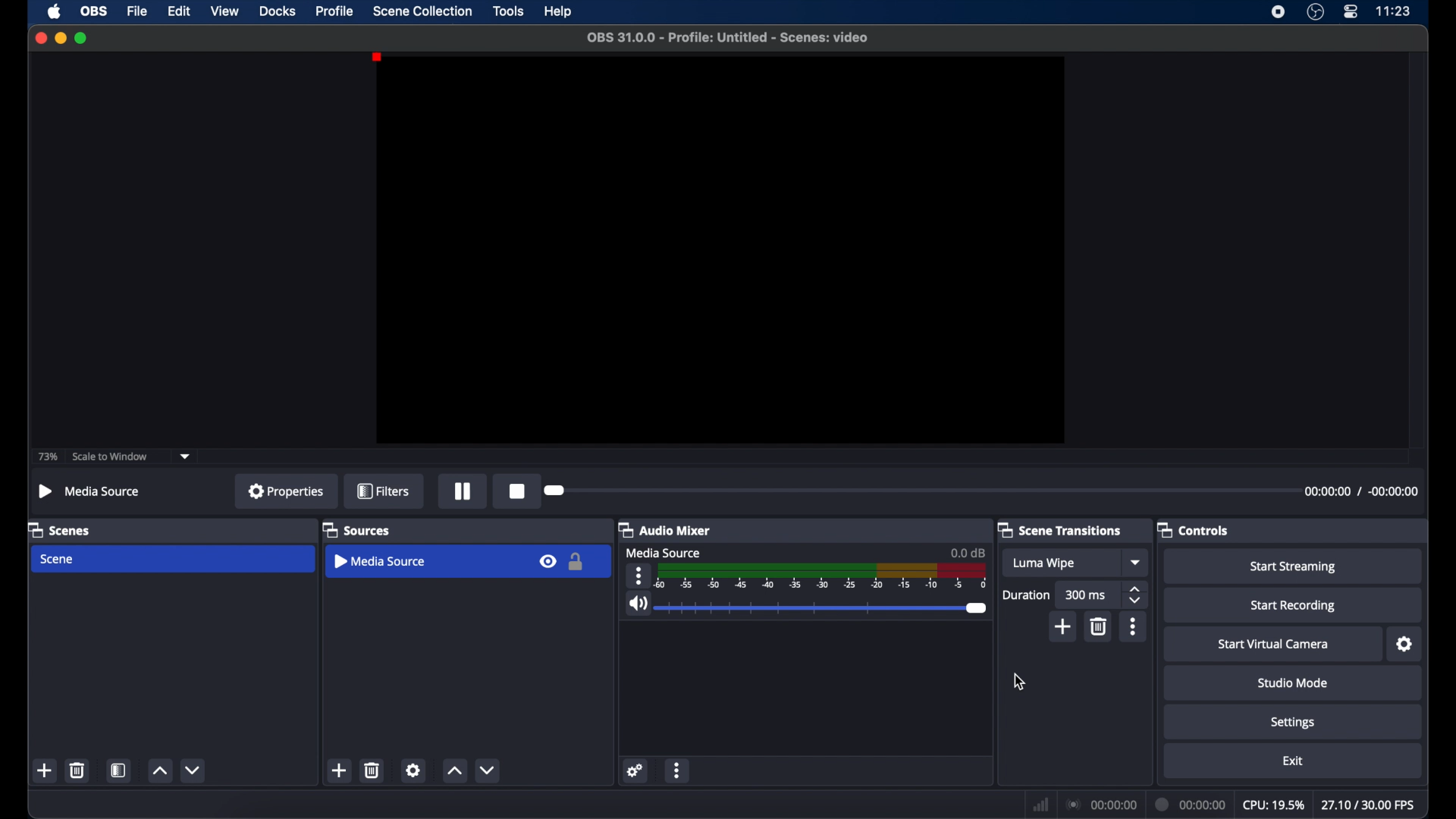 The image size is (1456, 819). Describe the element at coordinates (1086, 595) in the screenshot. I see `300 ms` at that location.